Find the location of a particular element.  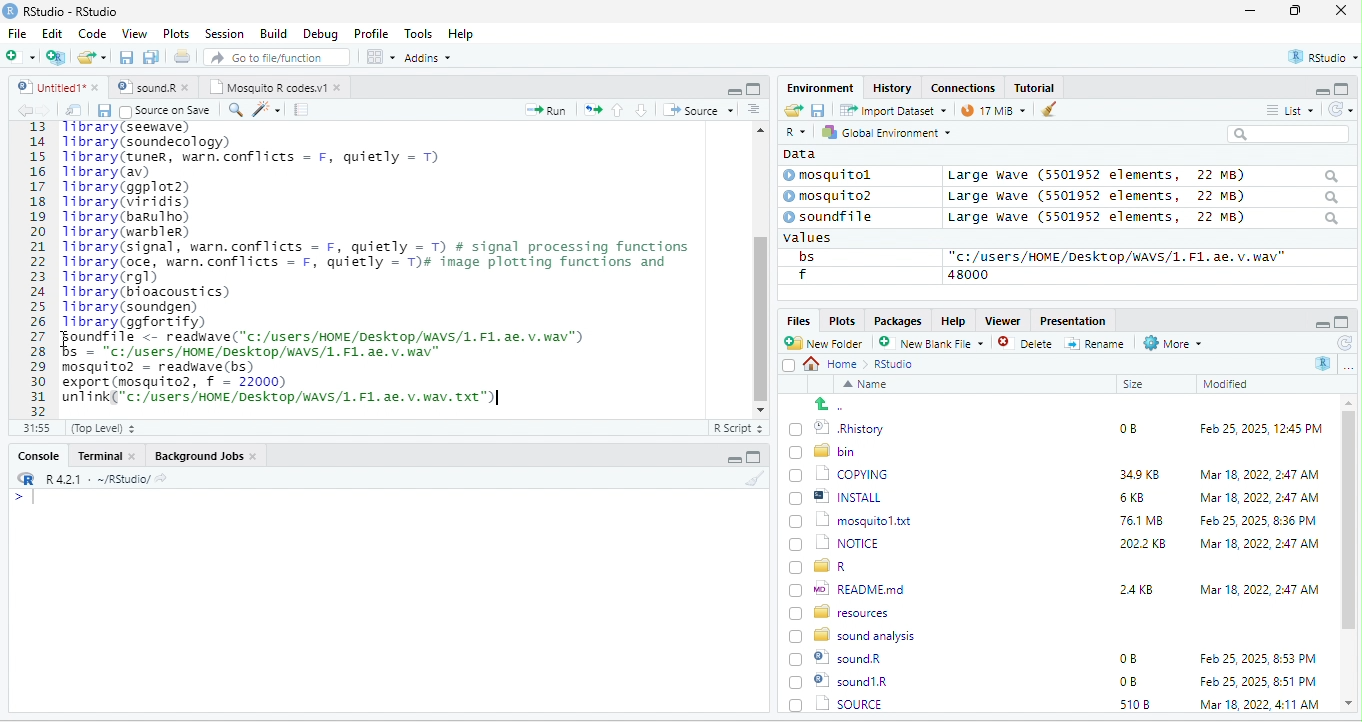

Session is located at coordinates (225, 32).